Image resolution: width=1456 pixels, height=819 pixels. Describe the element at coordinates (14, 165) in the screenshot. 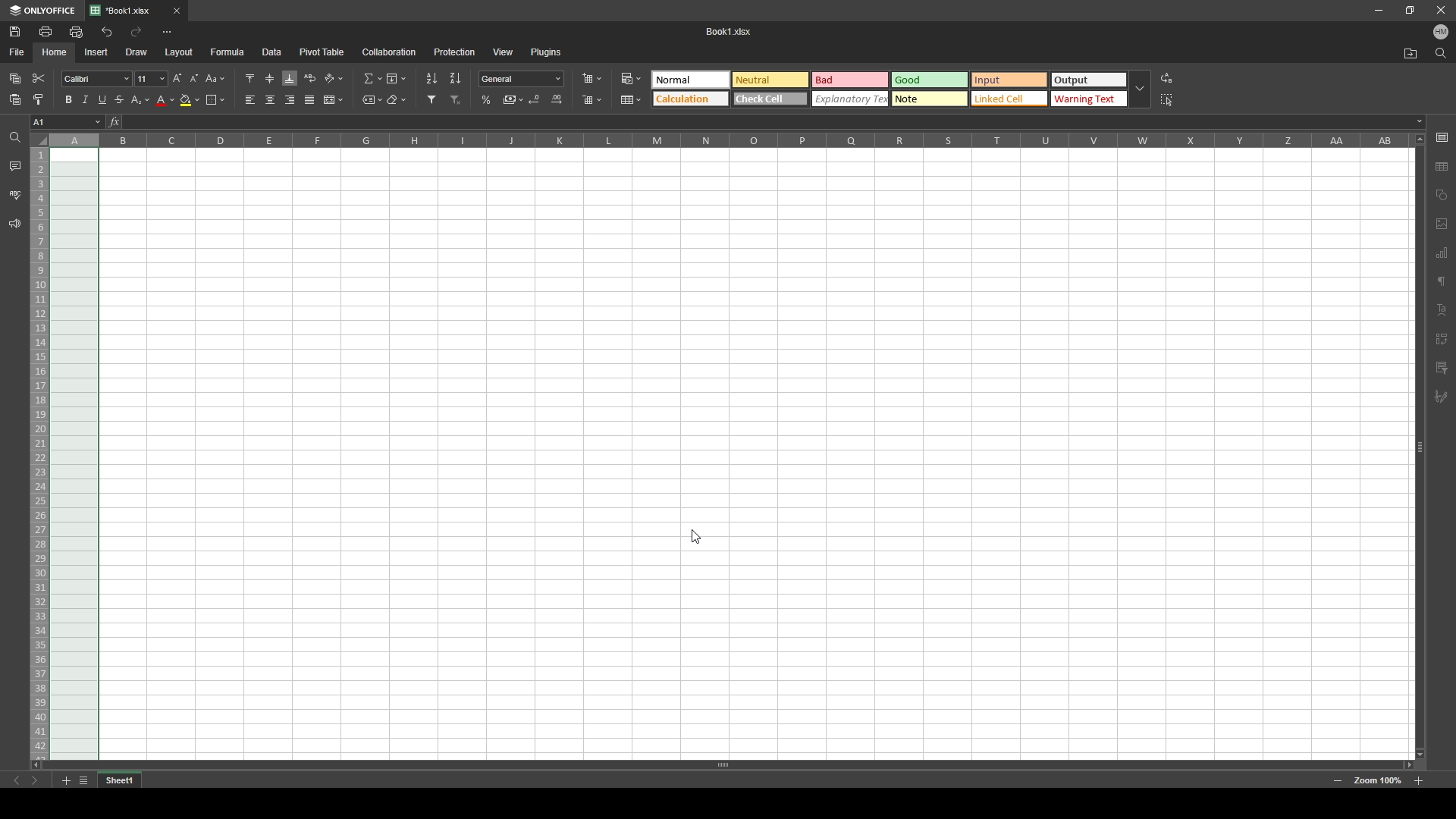

I see `comment` at that location.